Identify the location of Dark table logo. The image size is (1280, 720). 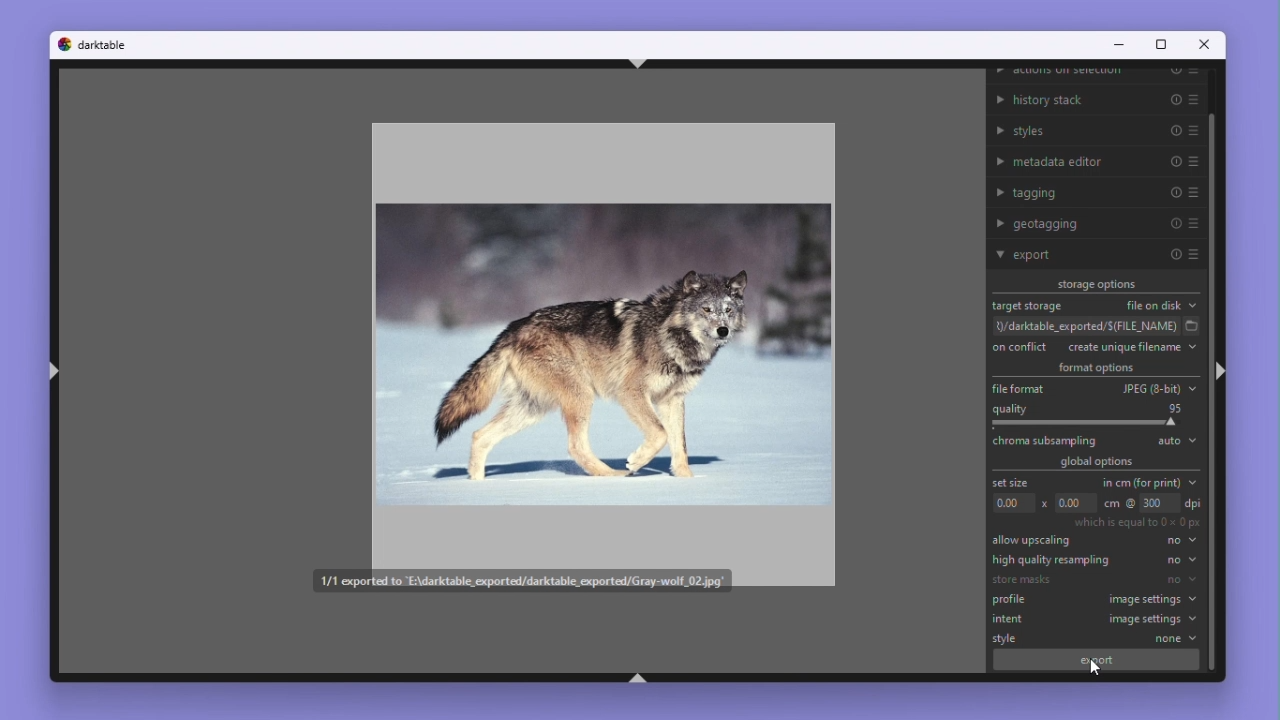
(89, 46).